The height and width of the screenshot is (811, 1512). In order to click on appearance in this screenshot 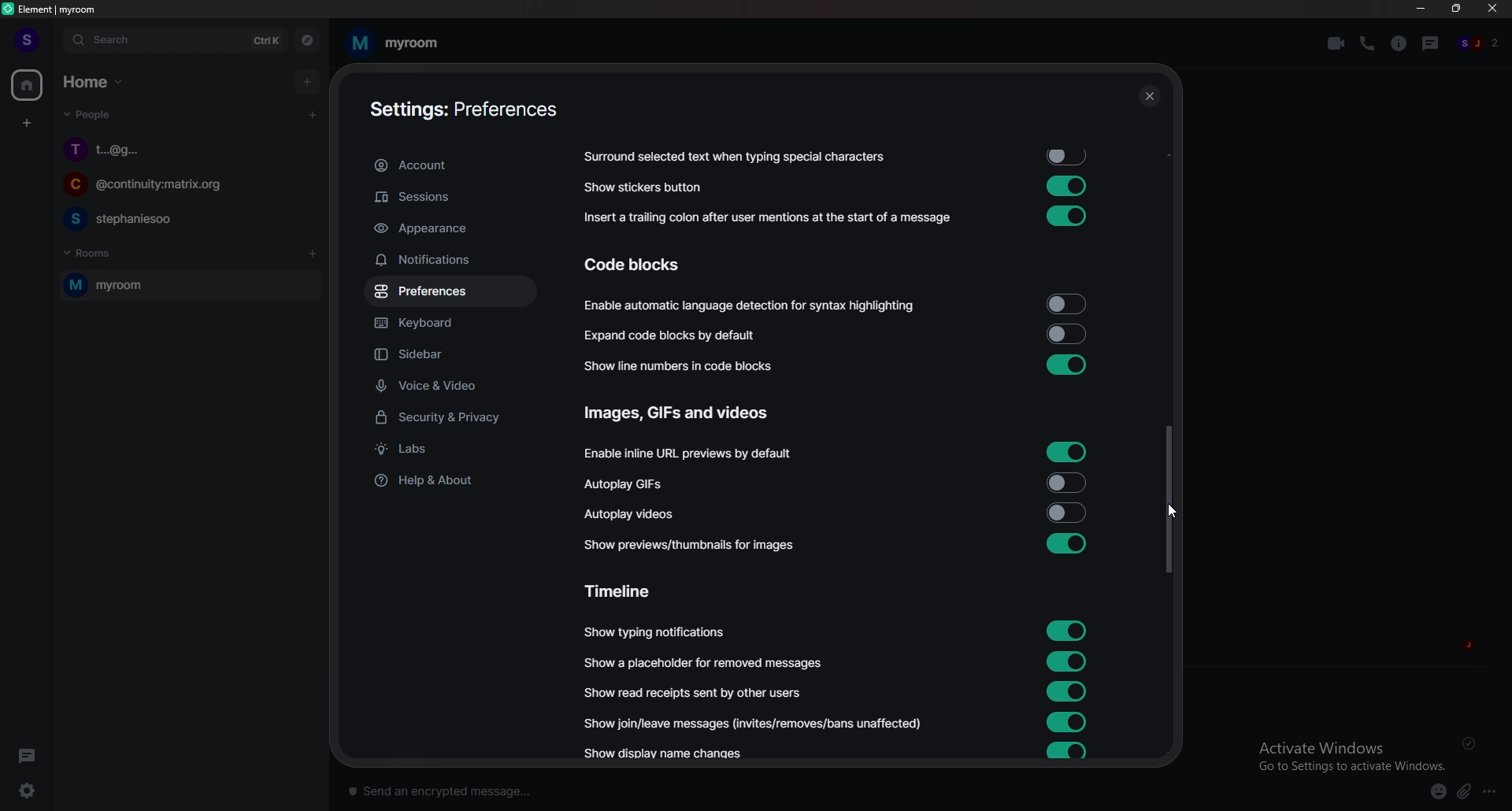, I will do `click(450, 229)`.